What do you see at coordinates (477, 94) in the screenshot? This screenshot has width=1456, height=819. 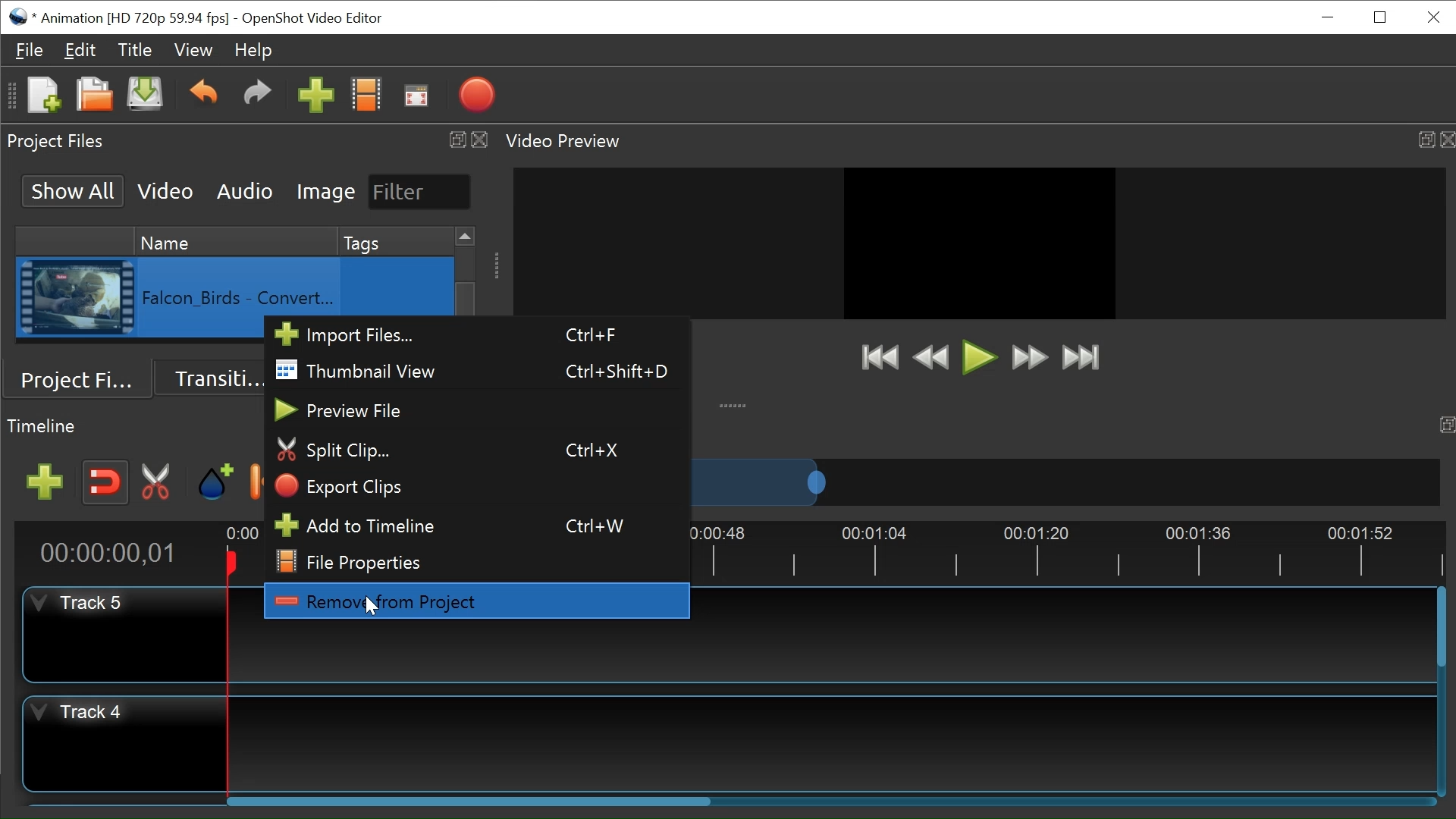 I see `Export Video` at bounding box center [477, 94].